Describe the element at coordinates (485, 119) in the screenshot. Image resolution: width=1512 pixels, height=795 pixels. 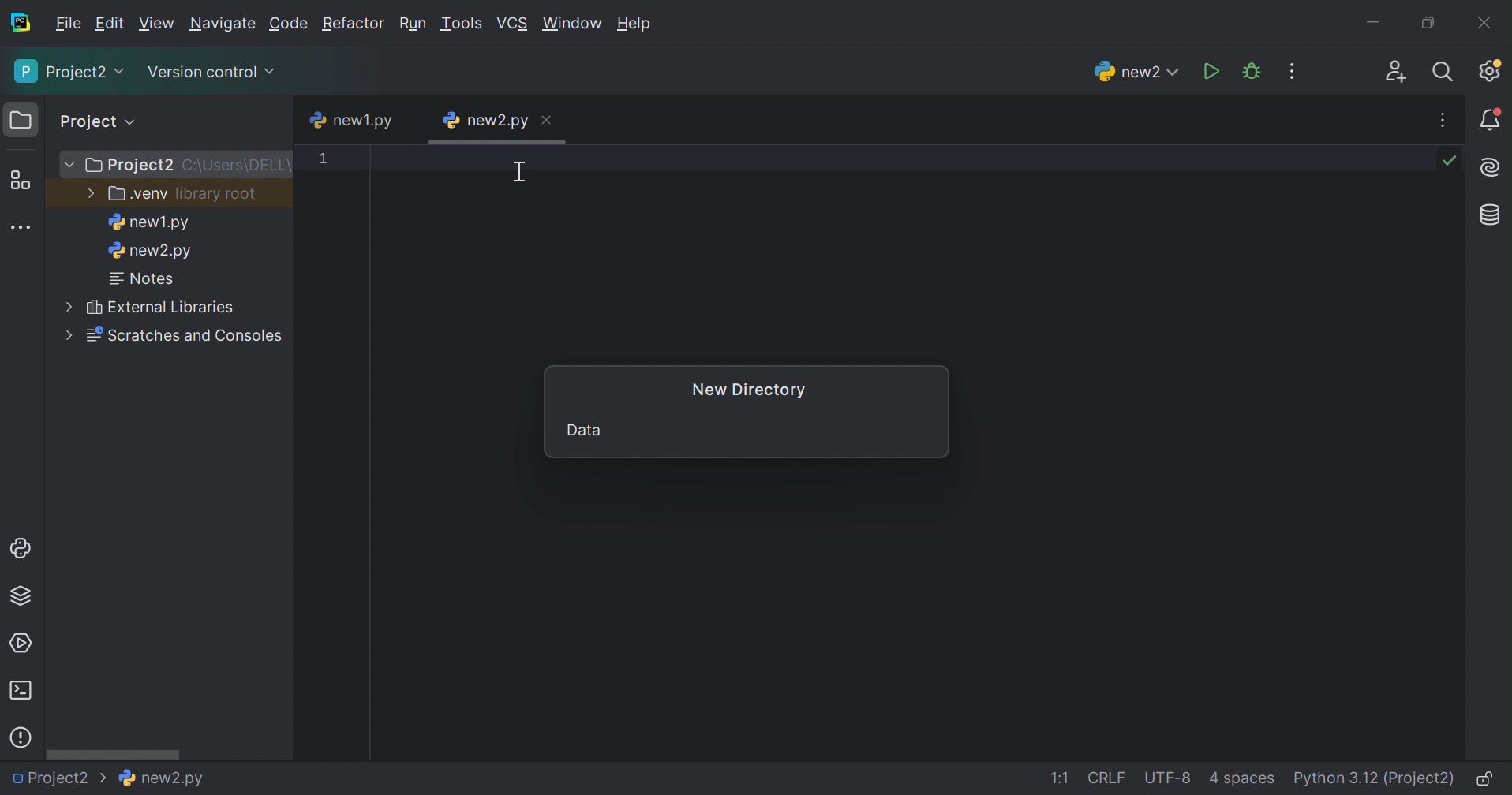
I see `new2.py` at that location.